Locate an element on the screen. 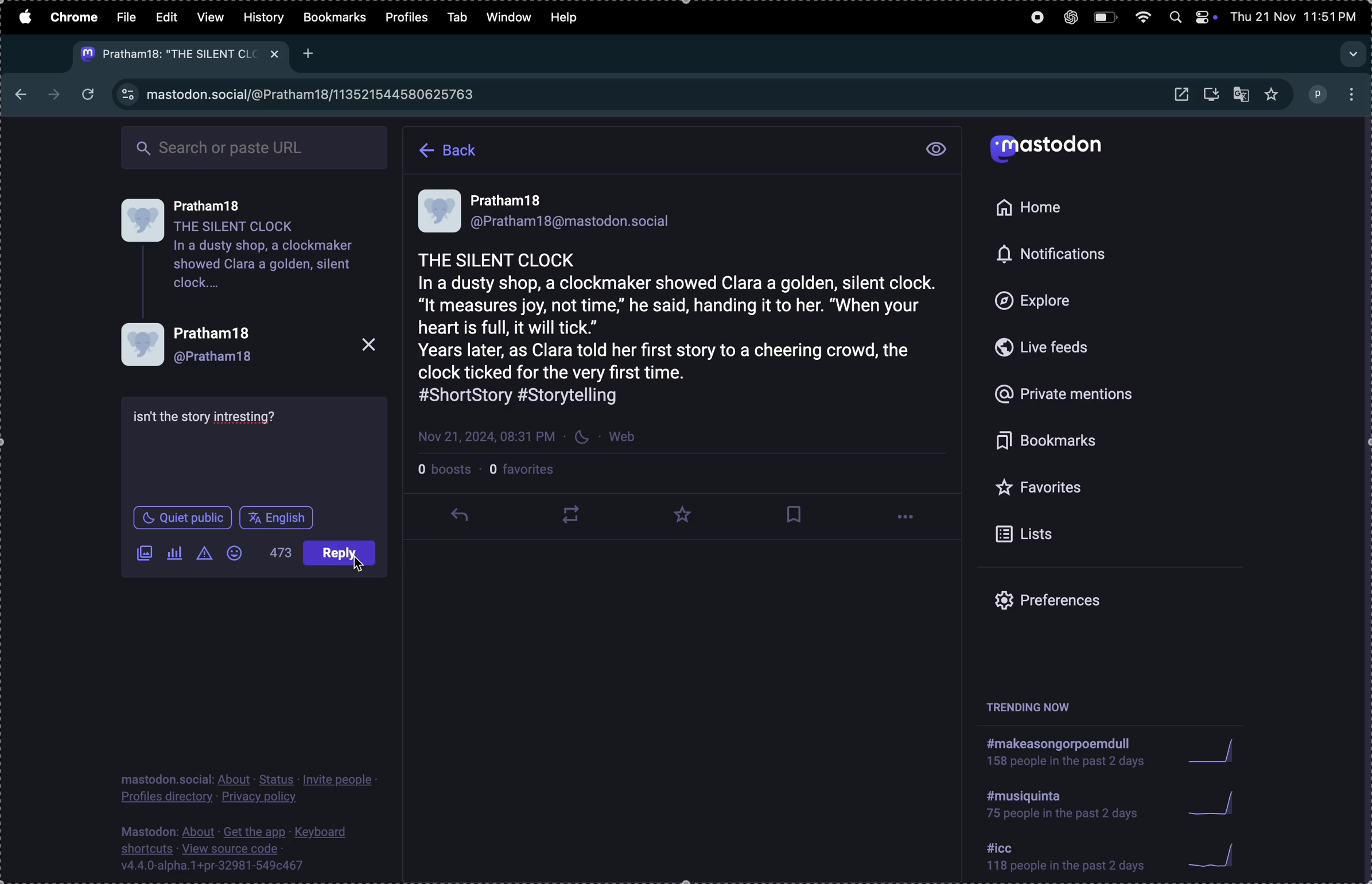 The height and width of the screenshot is (884, 1372). file is located at coordinates (128, 17).